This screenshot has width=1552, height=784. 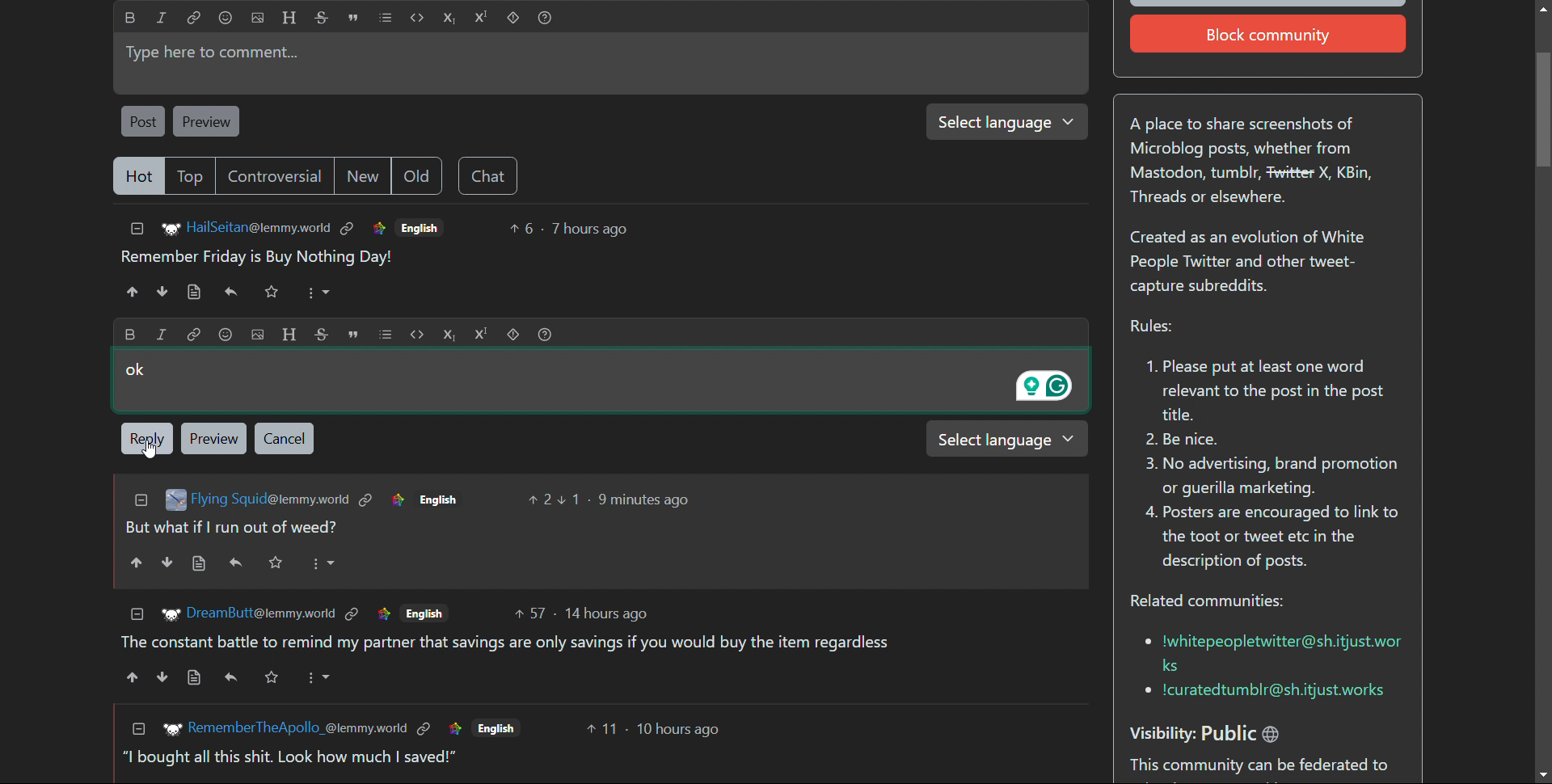 I want to click on upload image, so click(x=258, y=18).